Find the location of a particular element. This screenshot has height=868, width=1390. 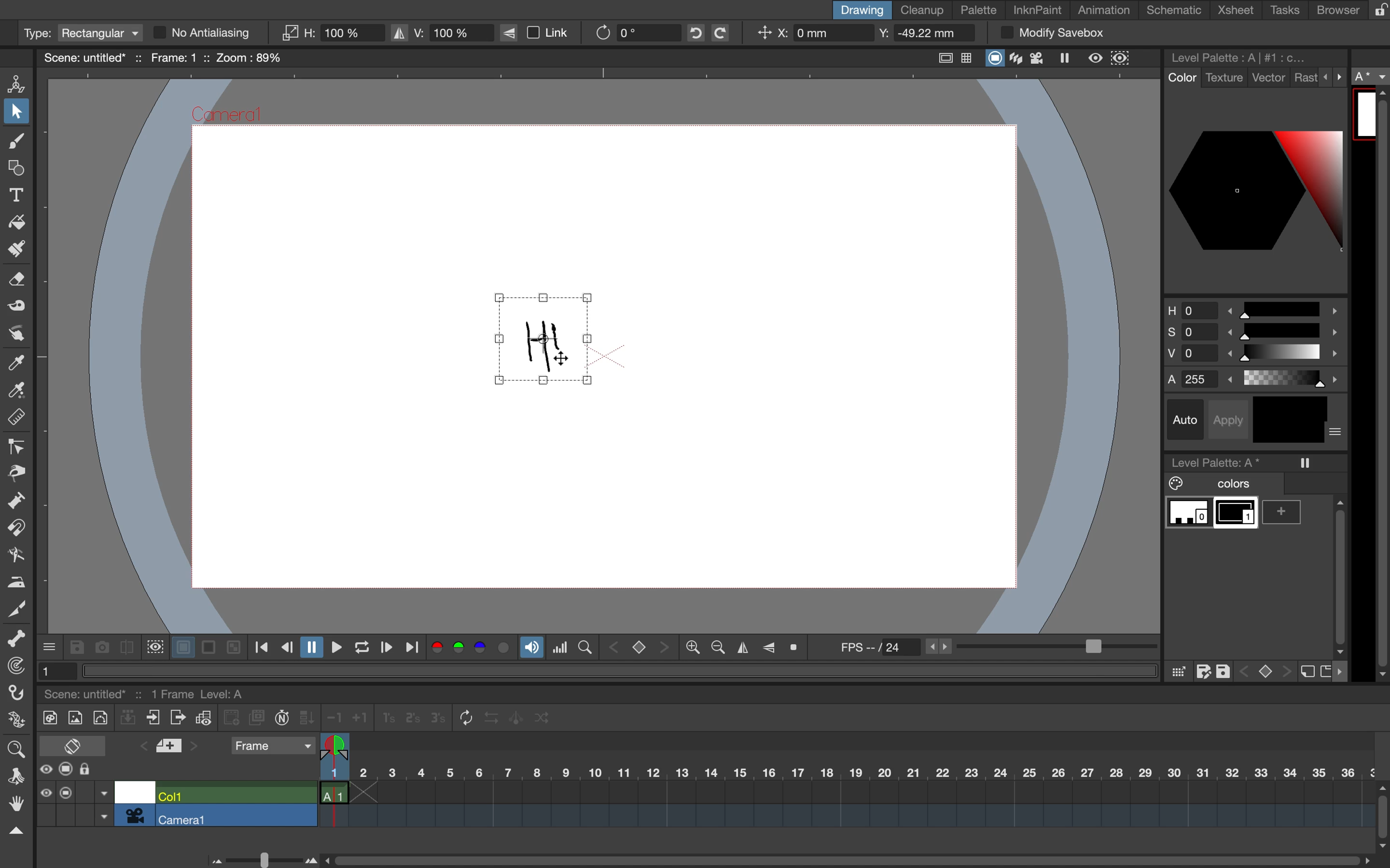

fill in empty cells is located at coordinates (308, 718).